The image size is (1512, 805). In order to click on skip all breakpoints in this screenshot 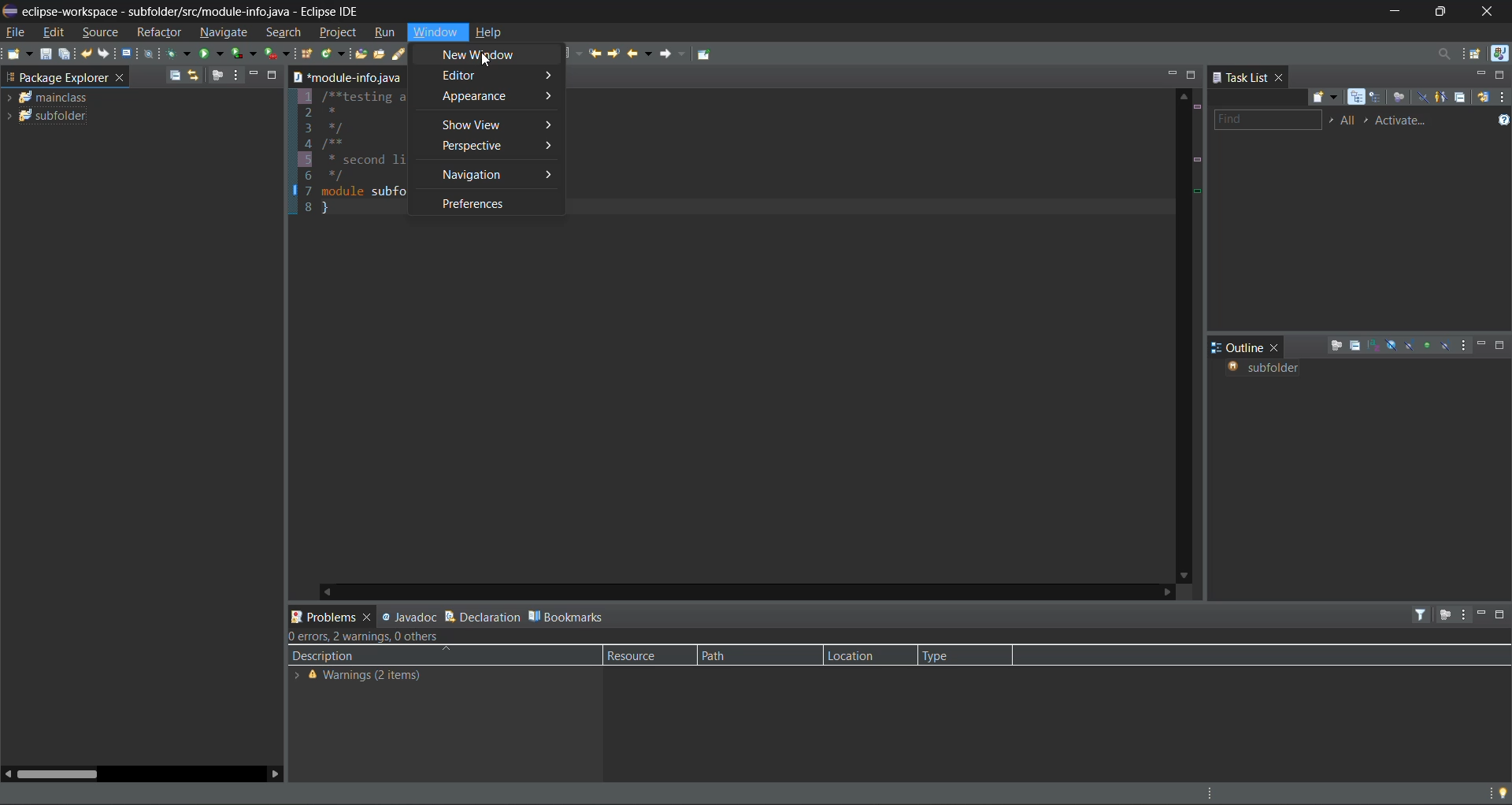, I will do `click(150, 52)`.